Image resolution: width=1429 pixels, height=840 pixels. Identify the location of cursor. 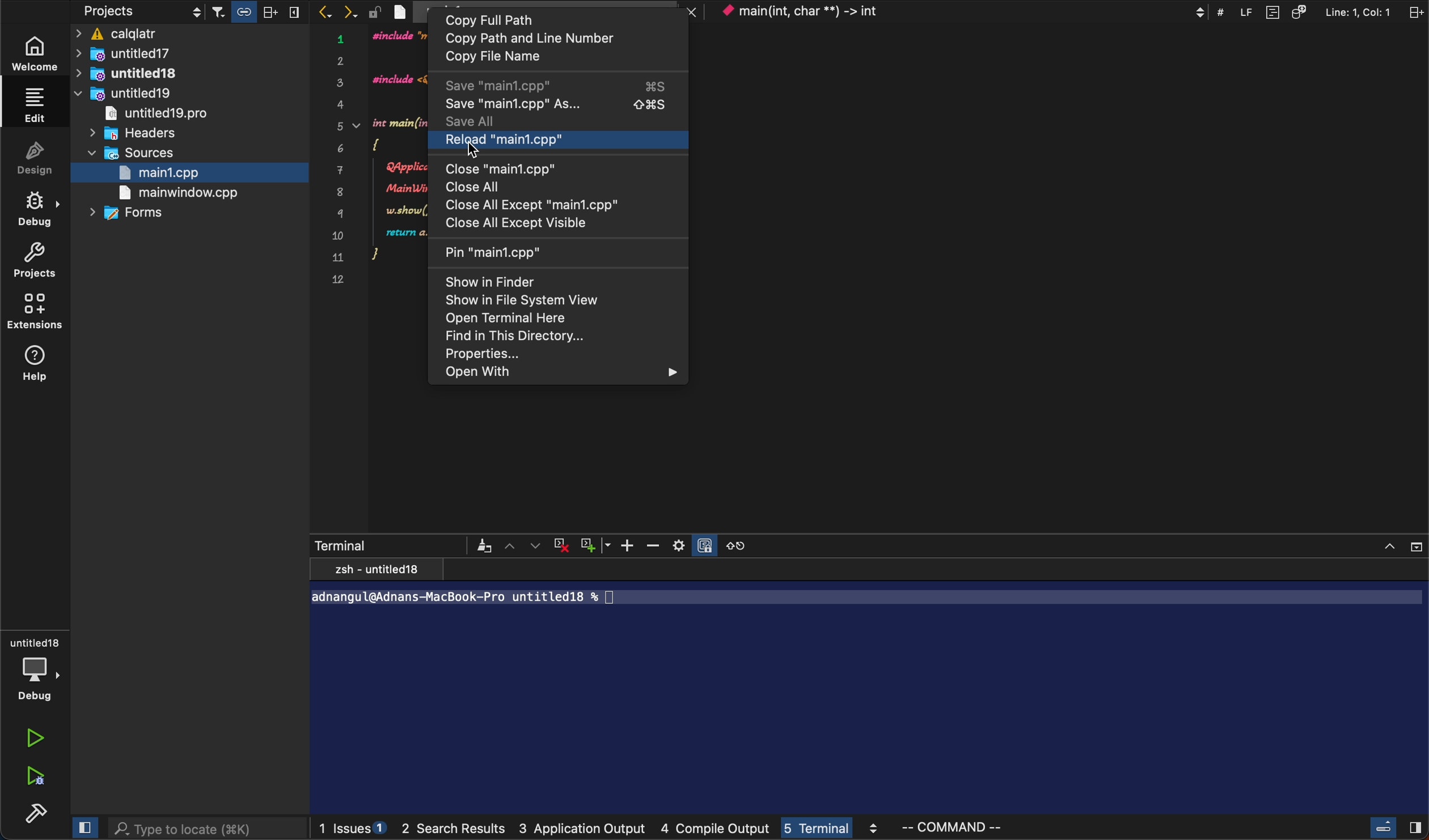
(478, 152).